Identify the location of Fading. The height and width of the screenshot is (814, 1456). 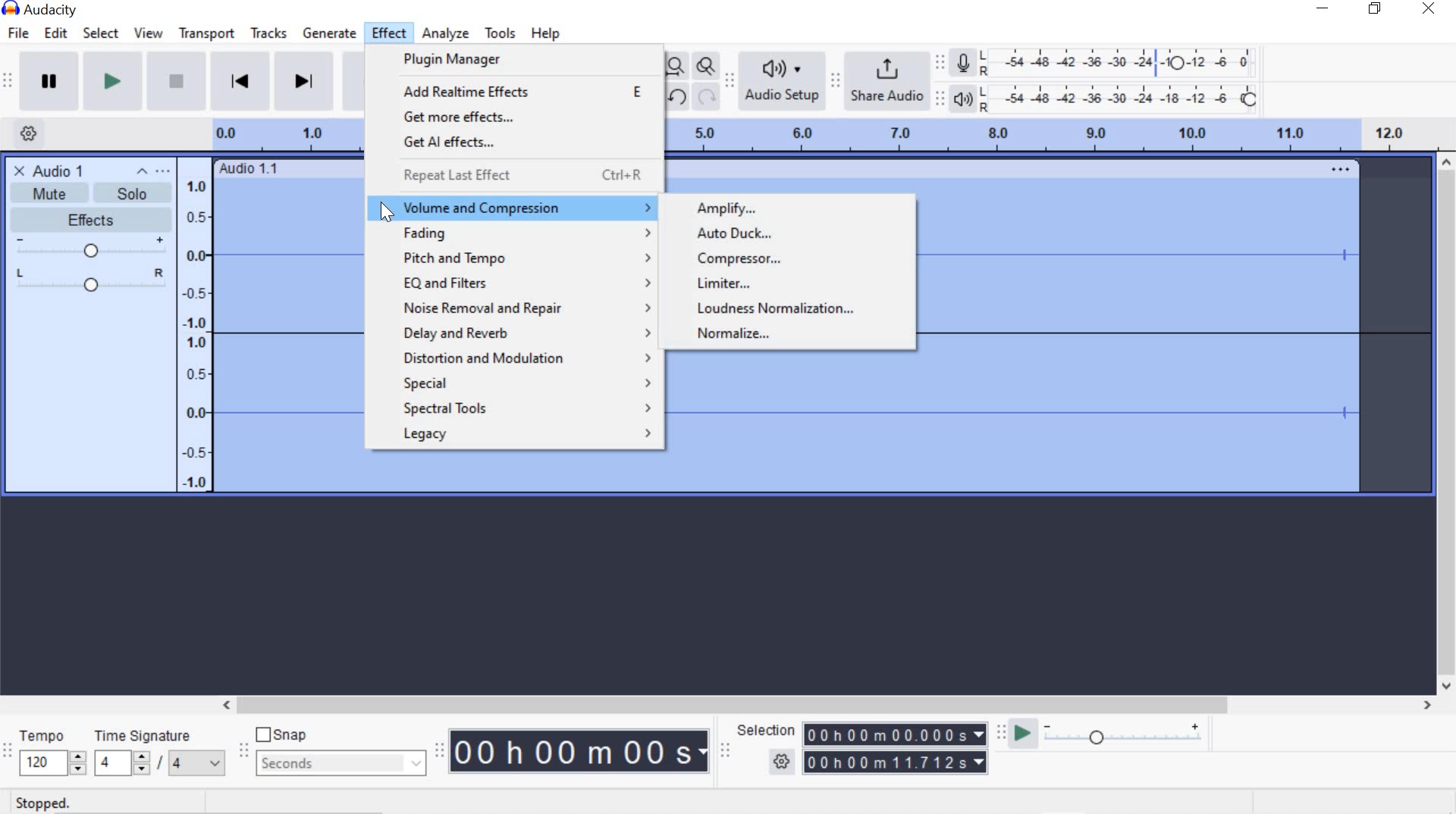
(521, 233).